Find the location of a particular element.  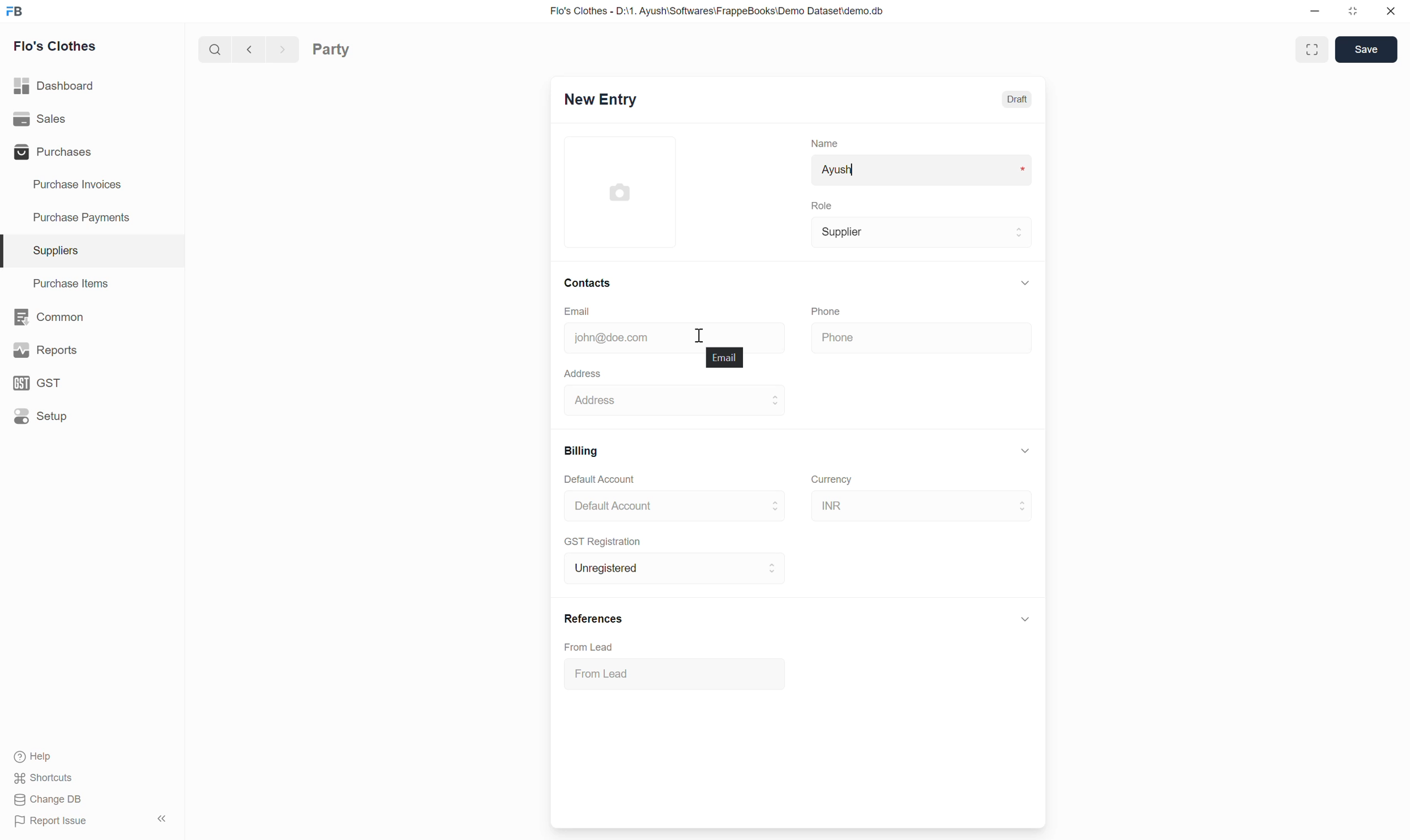

Setup is located at coordinates (91, 416).